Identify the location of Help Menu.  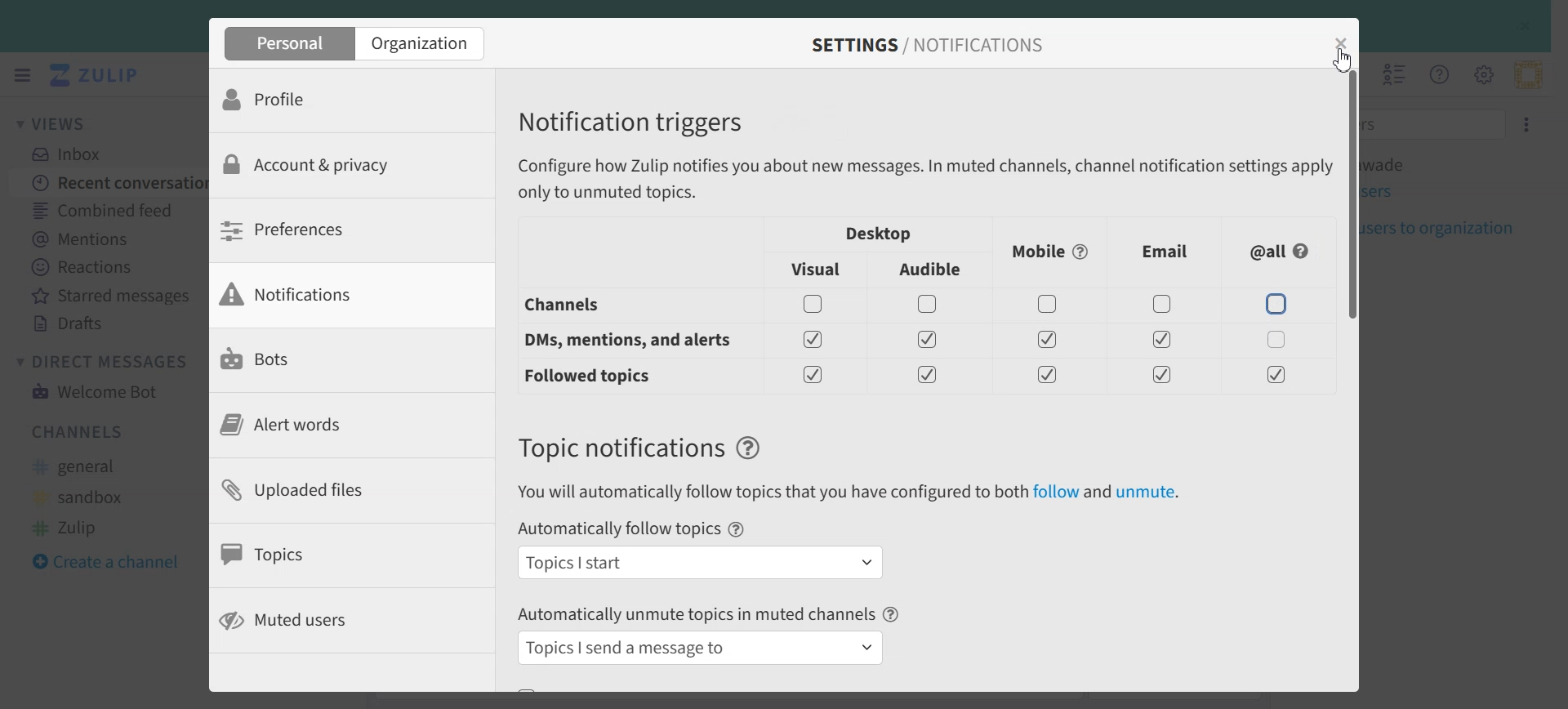
(1437, 74).